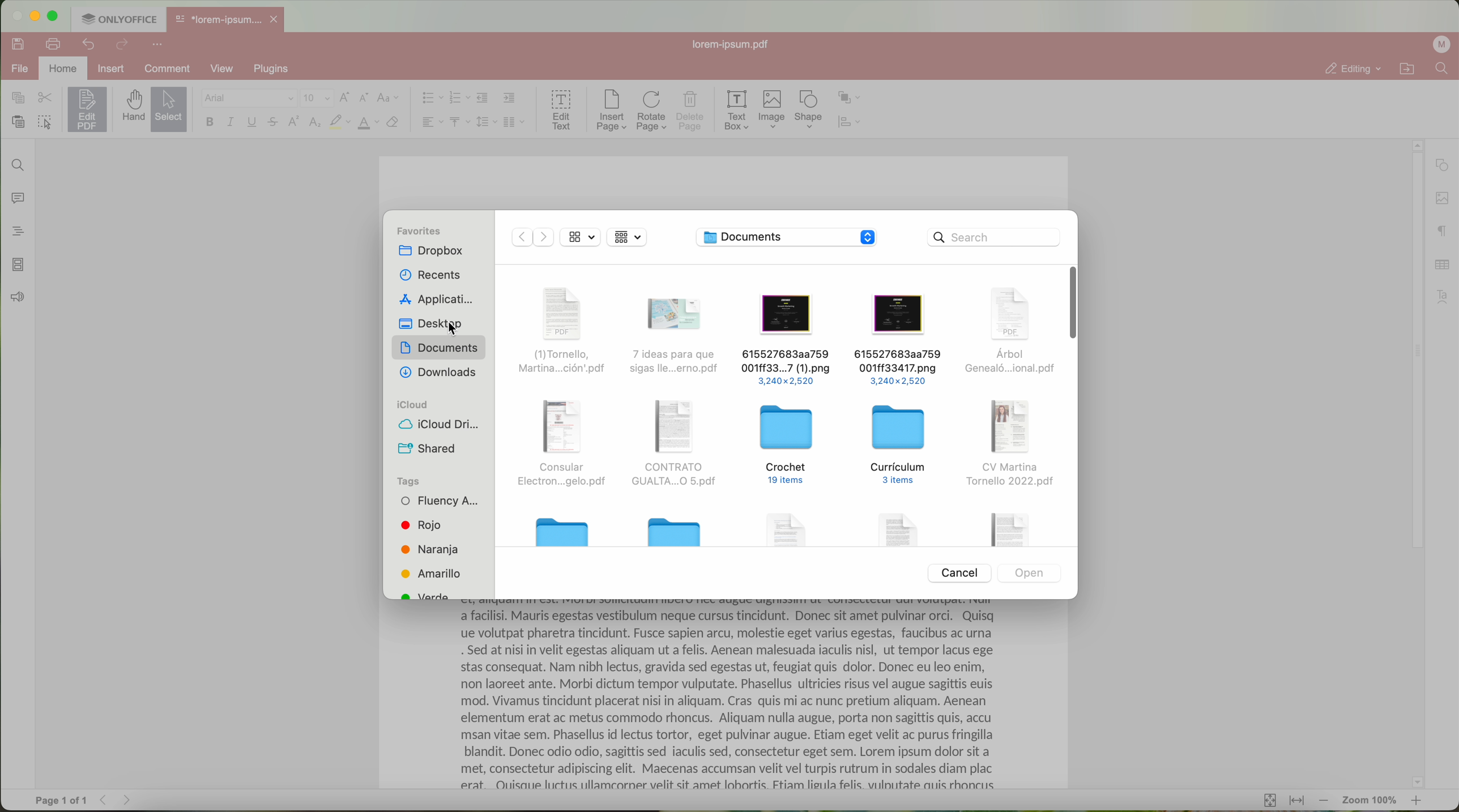 This screenshot has width=1459, height=812. I want to click on Image, so click(773, 110).